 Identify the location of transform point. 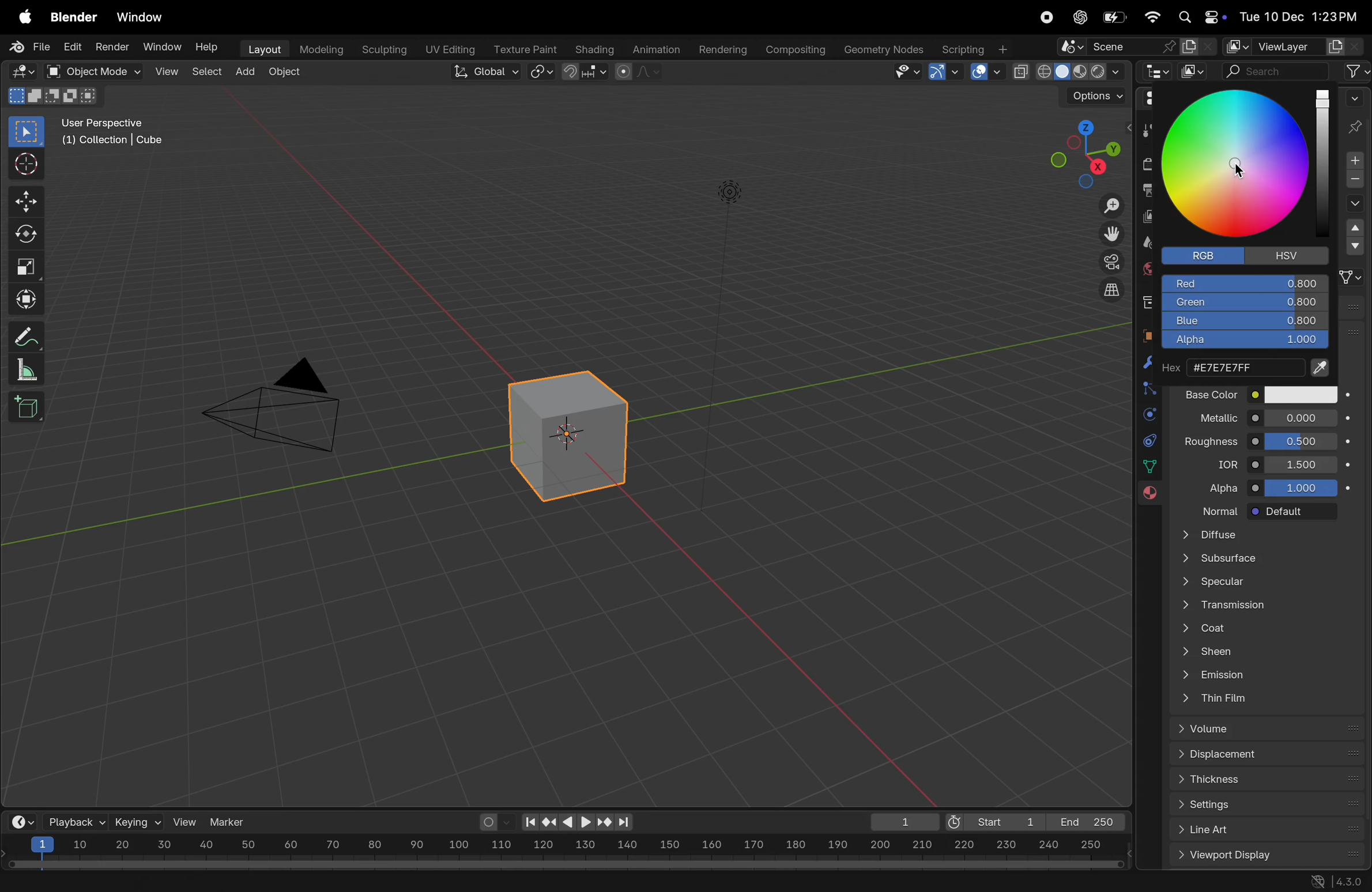
(586, 72).